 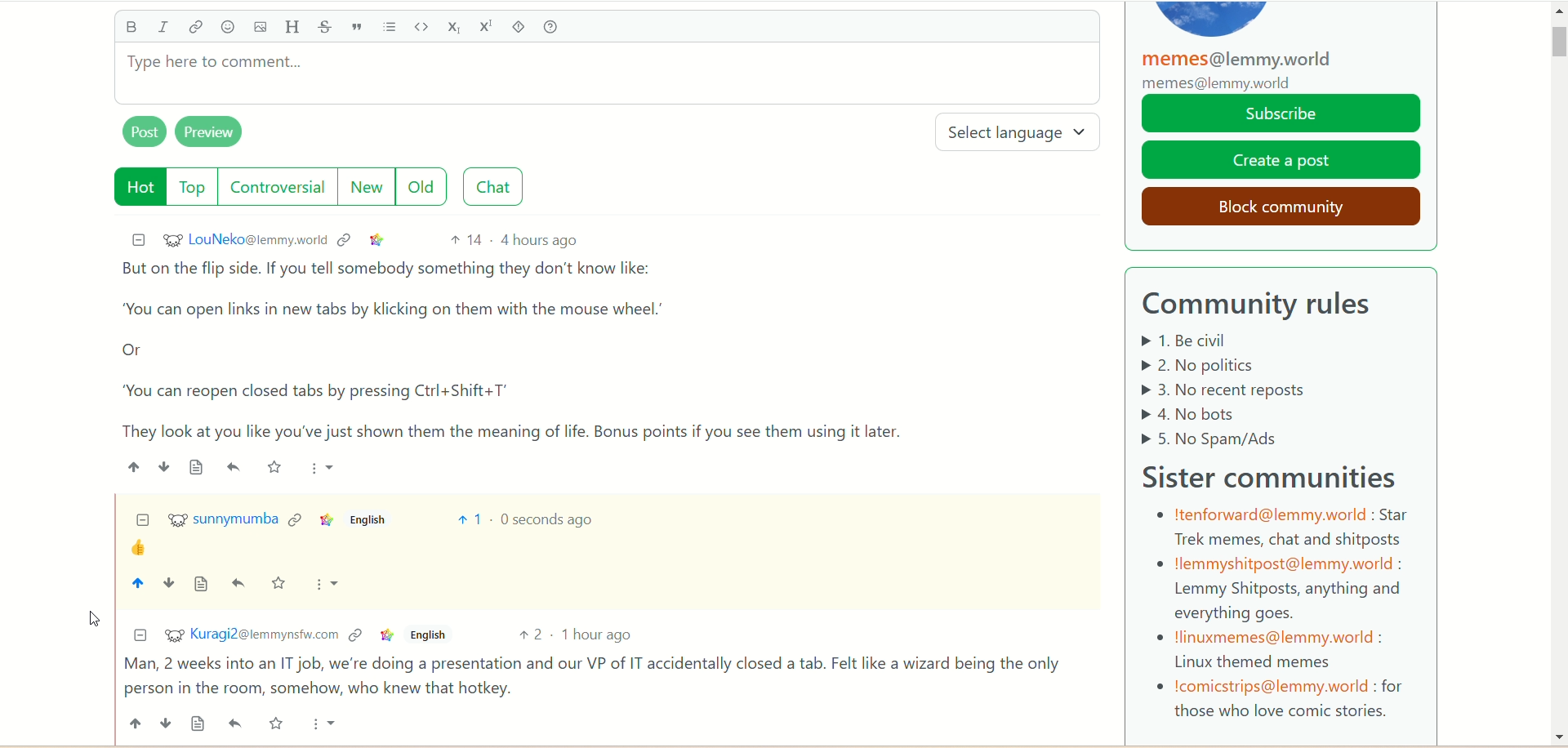 What do you see at coordinates (193, 189) in the screenshot?
I see `top` at bounding box center [193, 189].